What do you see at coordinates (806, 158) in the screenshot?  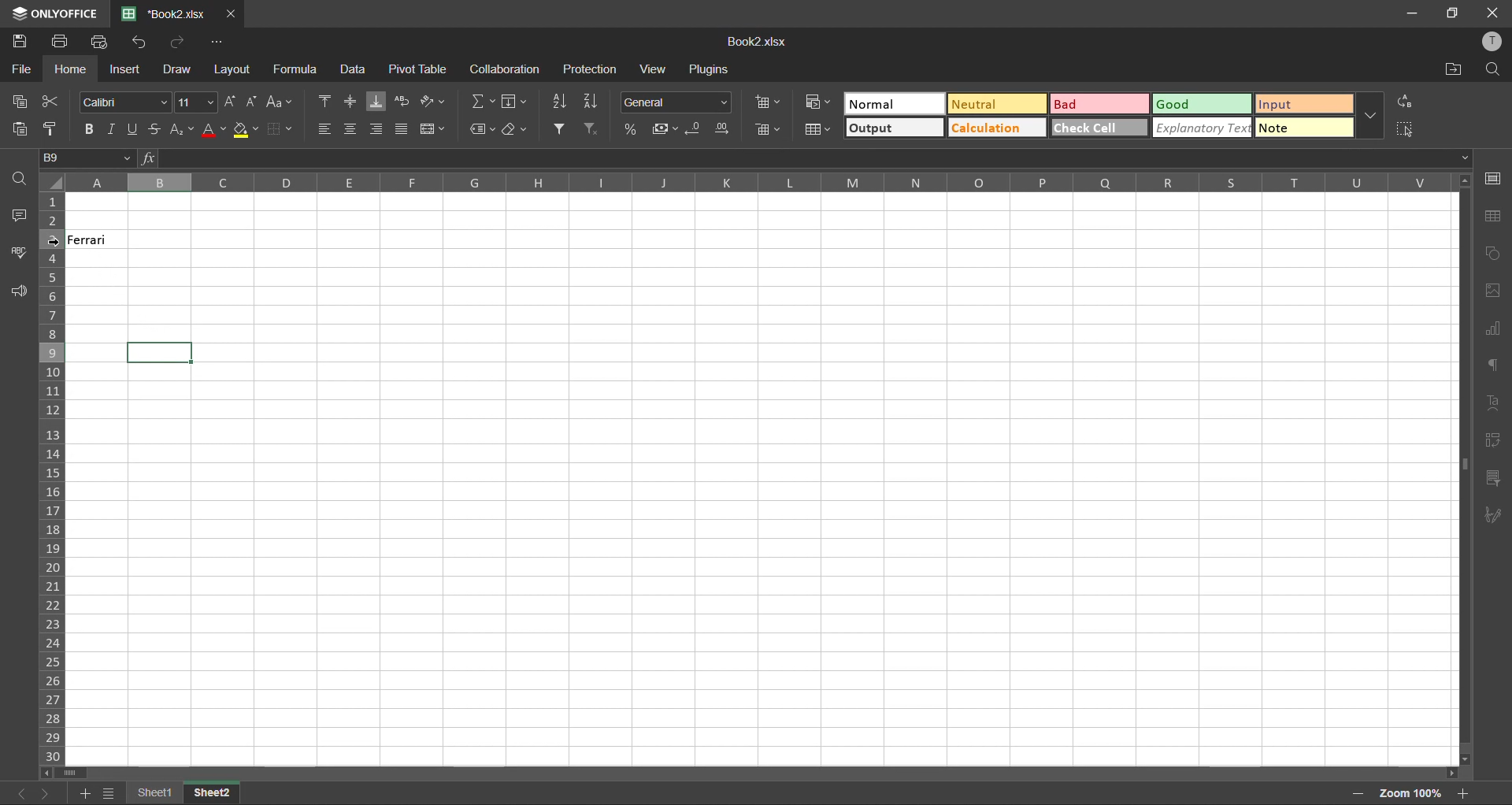 I see `formula bar` at bounding box center [806, 158].